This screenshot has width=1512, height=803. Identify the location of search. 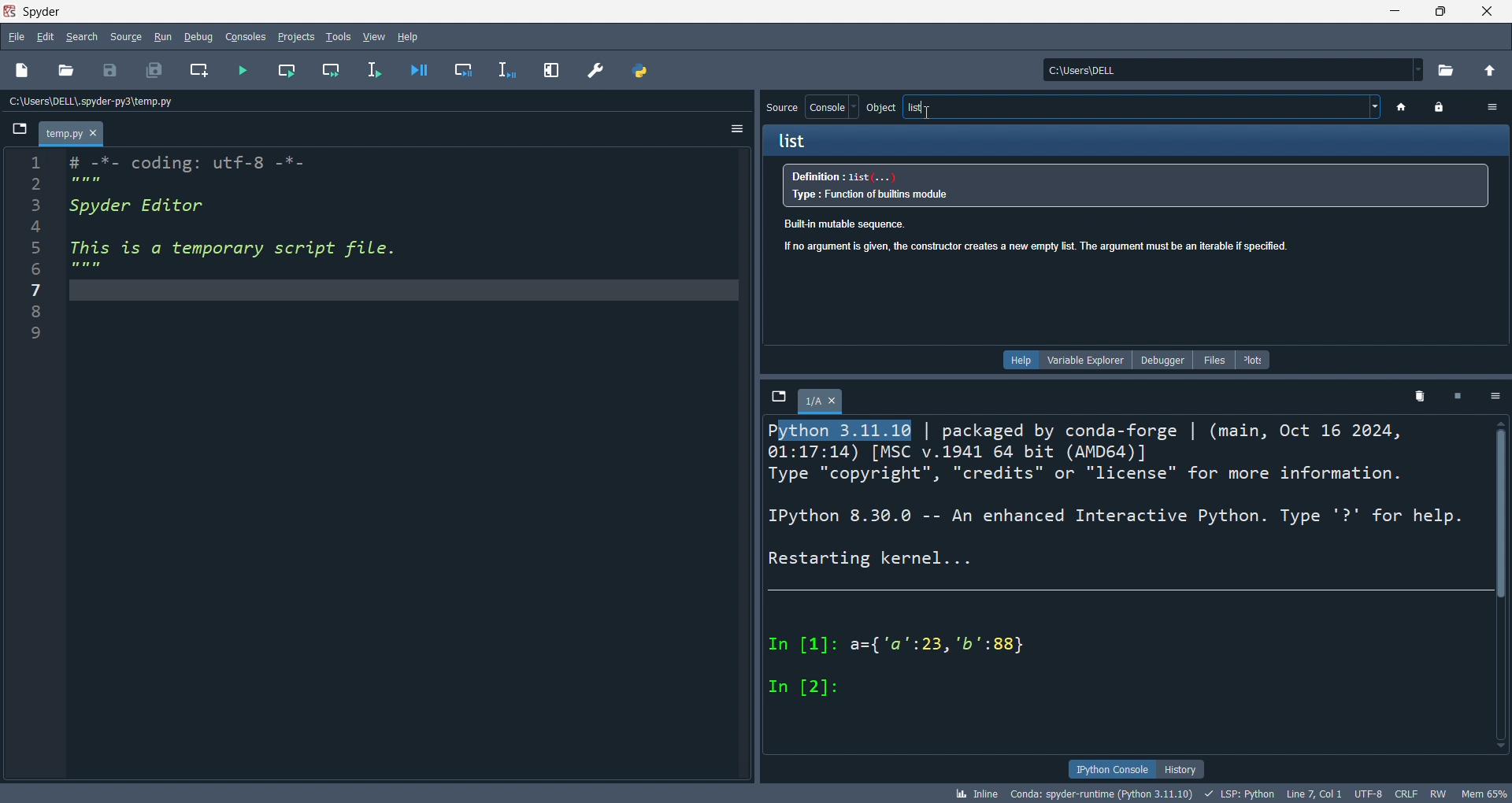
(80, 33).